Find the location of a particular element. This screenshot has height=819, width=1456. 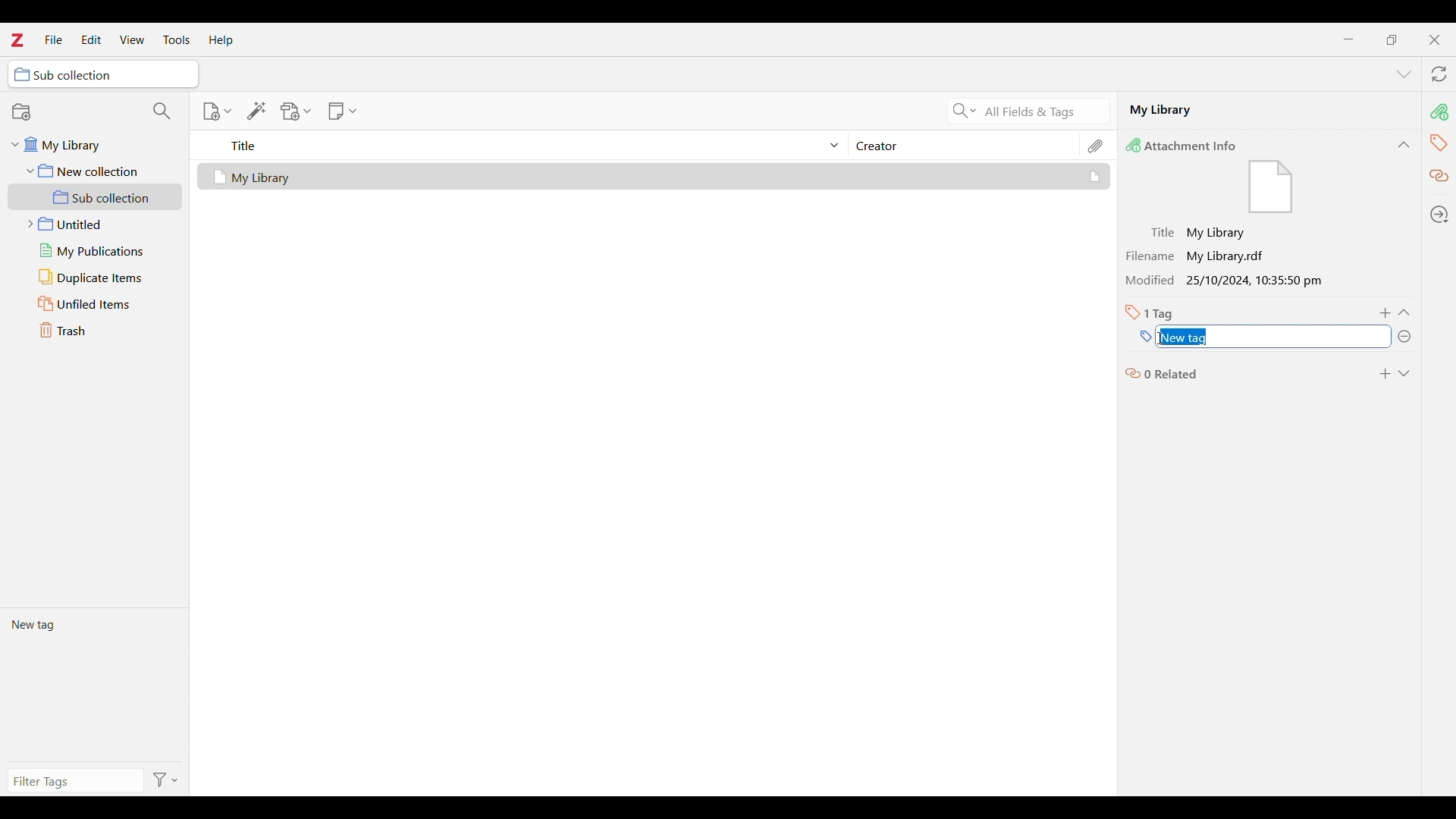

Locate is located at coordinates (1439, 215).